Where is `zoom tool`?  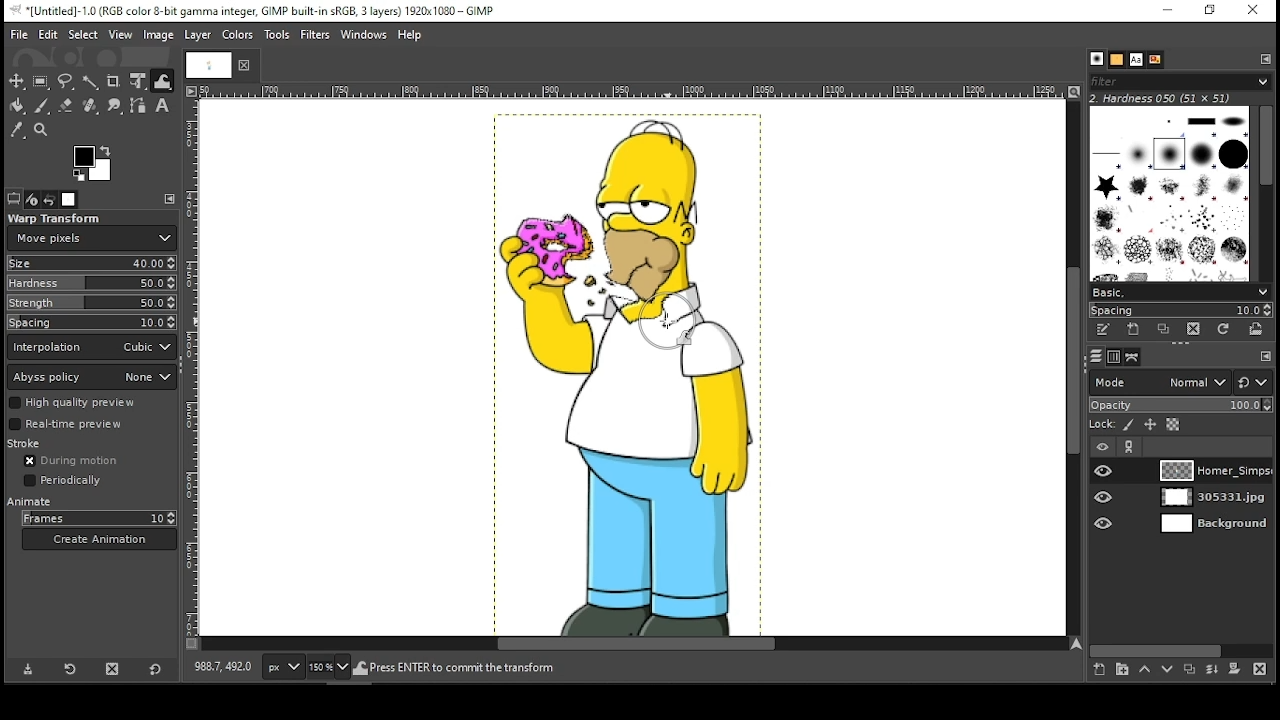 zoom tool is located at coordinates (42, 131).